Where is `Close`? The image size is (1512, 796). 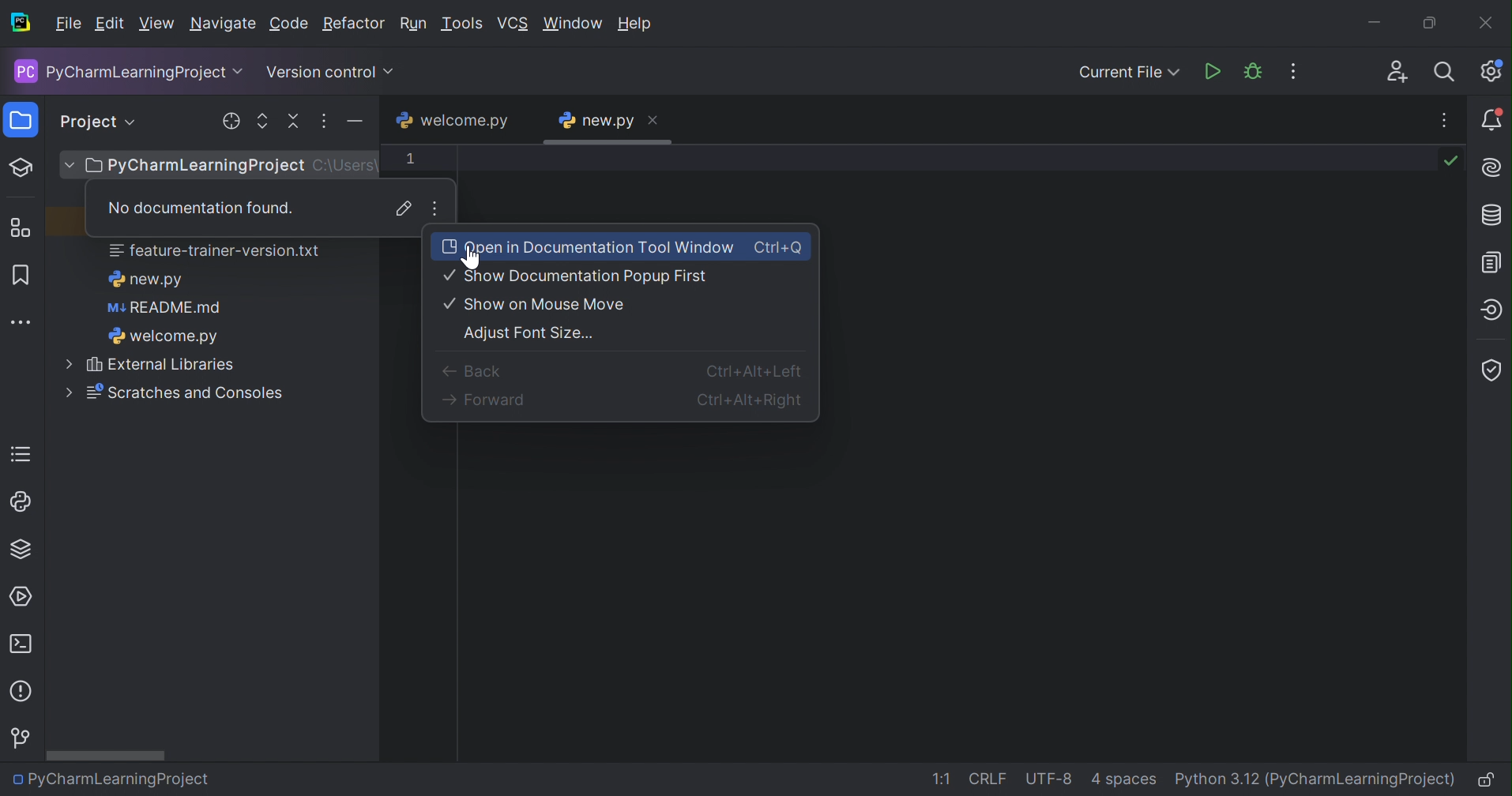 Close is located at coordinates (1488, 24).